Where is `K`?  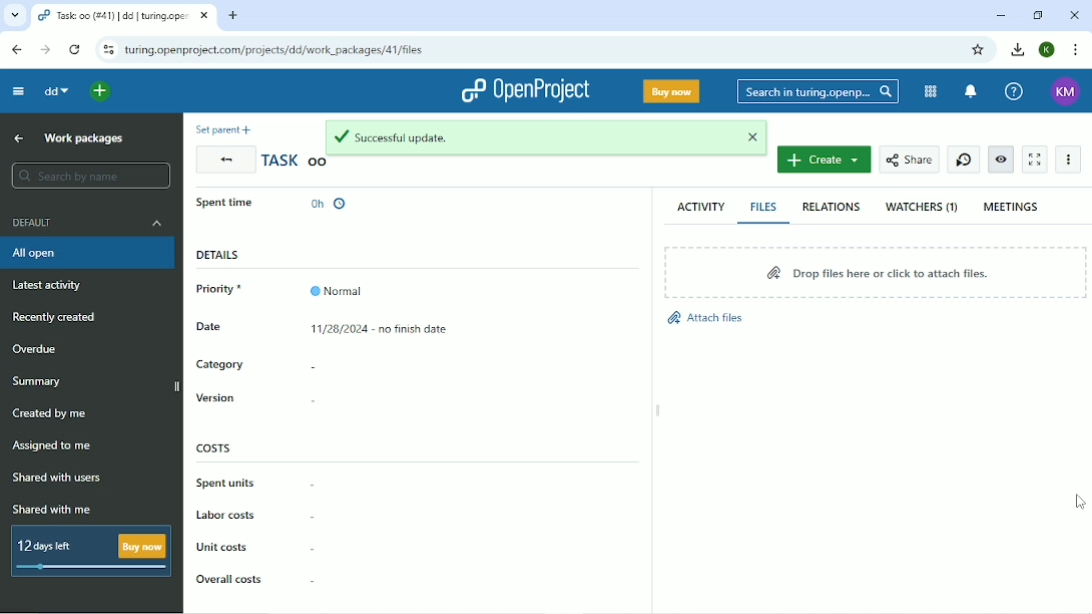
K is located at coordinates (1047, 50).